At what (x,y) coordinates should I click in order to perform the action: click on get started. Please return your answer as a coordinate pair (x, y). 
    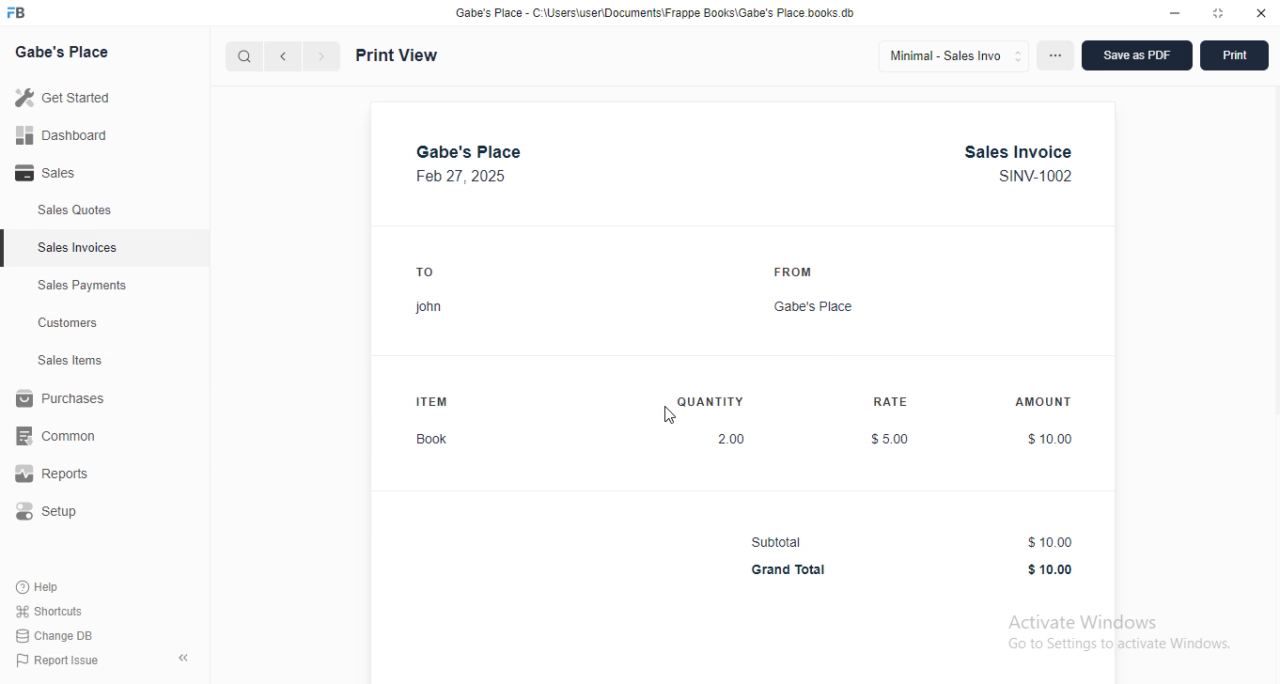
    Looking at the image, I should click on (63, 98).